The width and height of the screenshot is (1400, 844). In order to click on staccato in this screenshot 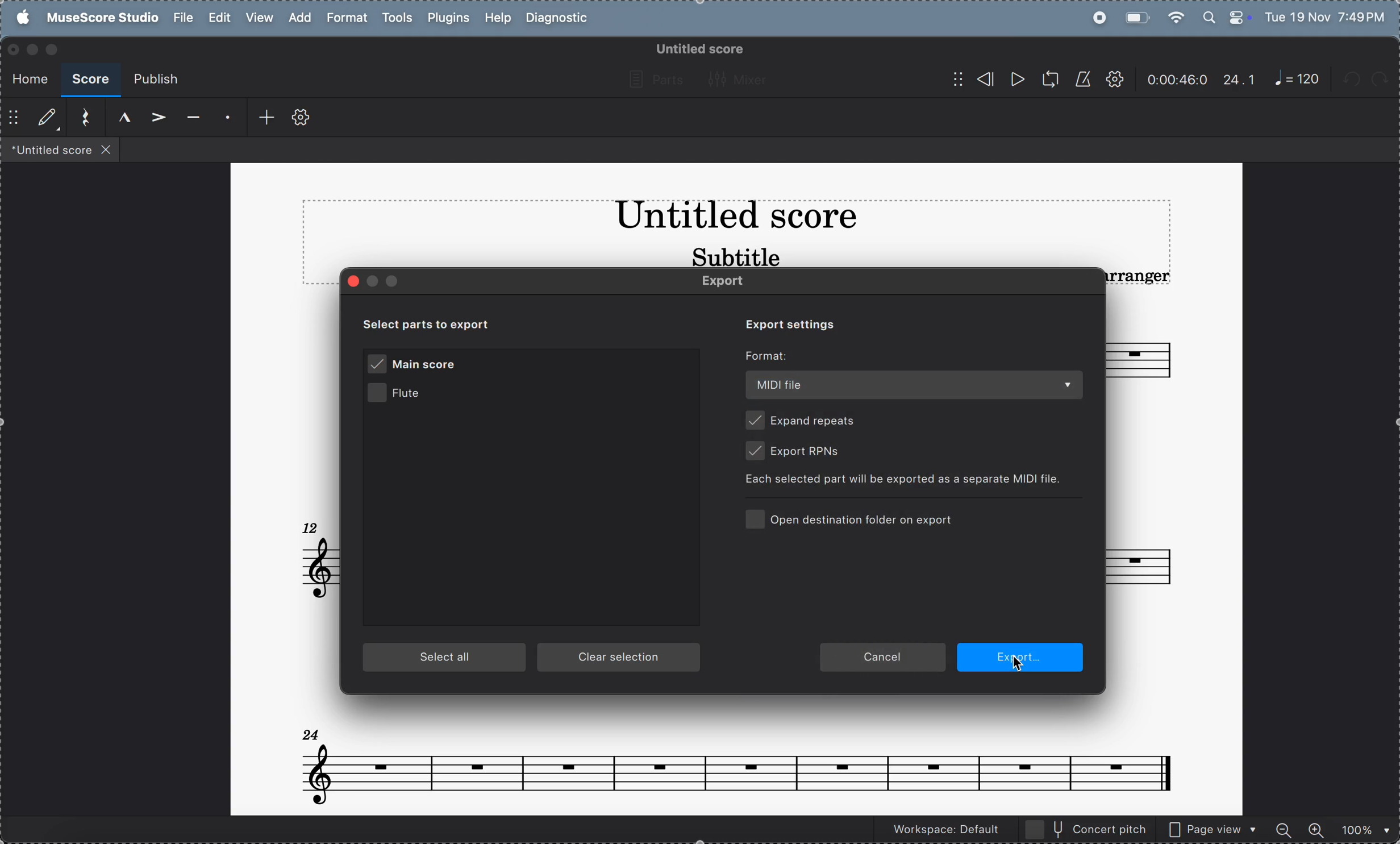, I will do `click(225, 119)`.